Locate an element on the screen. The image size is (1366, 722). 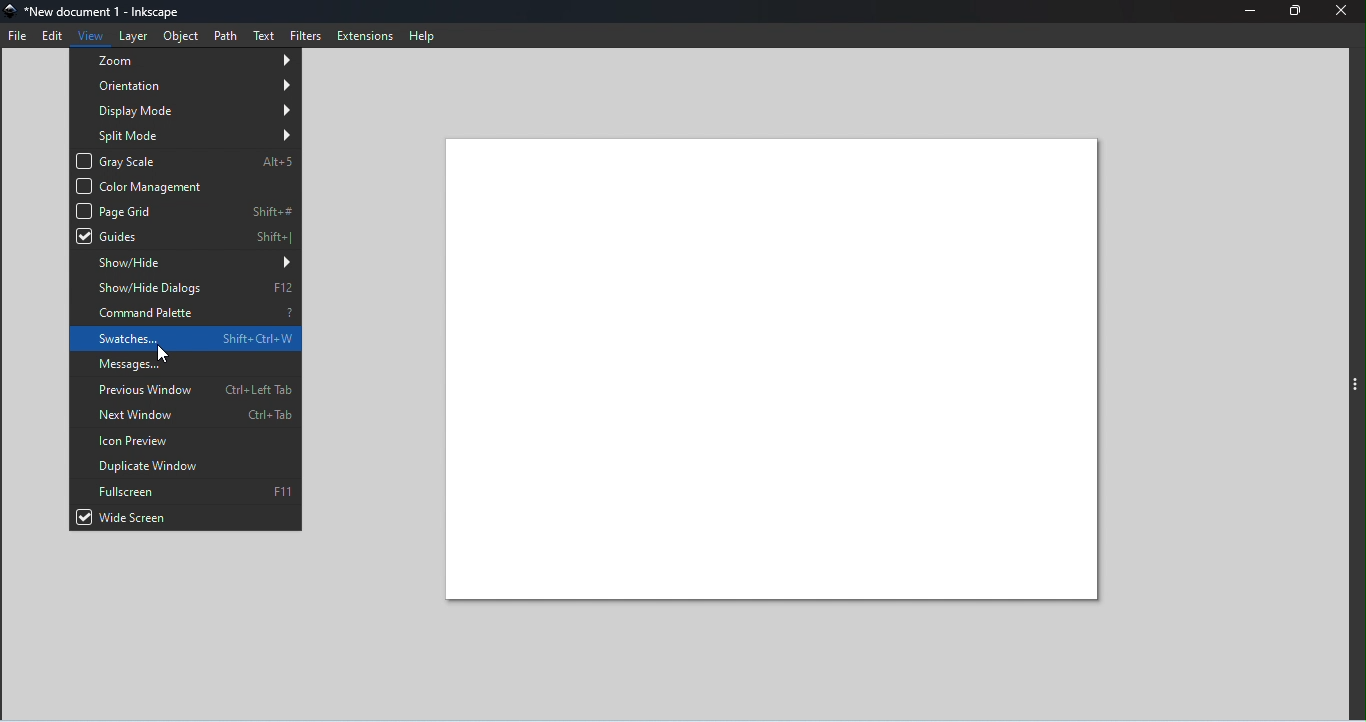
Close is located at coordinates (1344, 12).